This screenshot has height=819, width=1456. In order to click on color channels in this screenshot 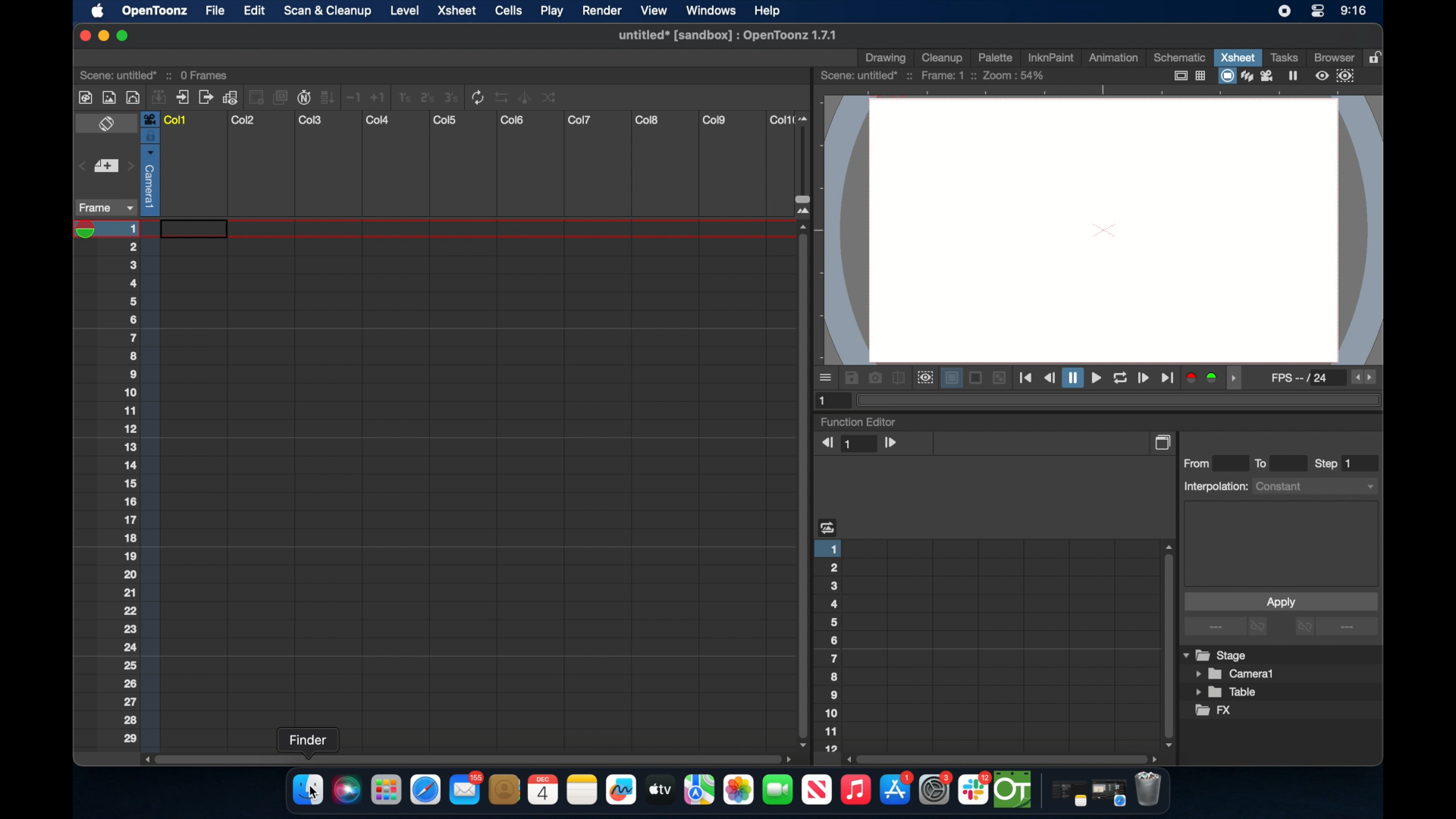, I will do `click(1203, 377)`.